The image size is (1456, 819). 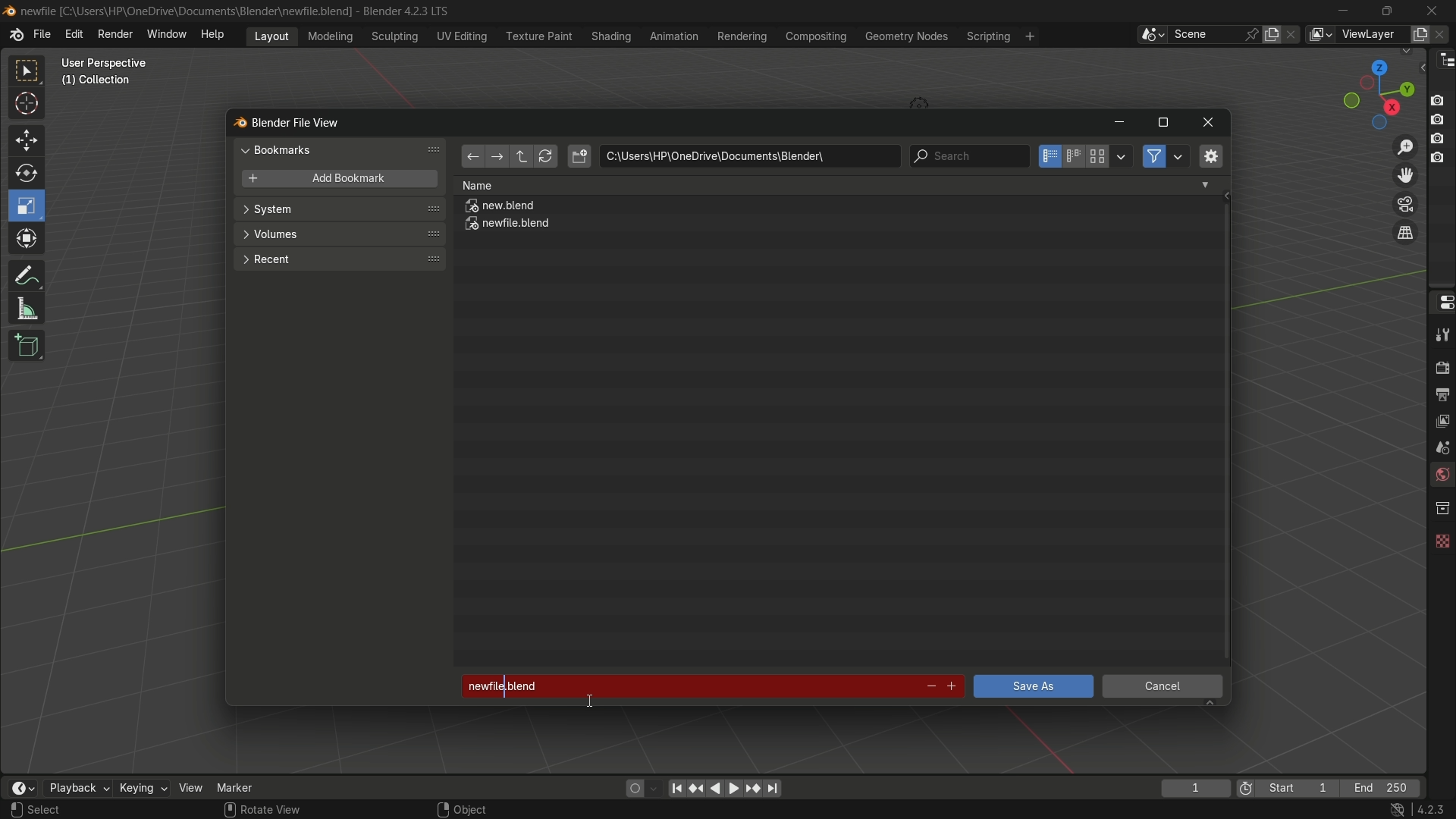 I want to click on view layer name, so click(x=1371, y=35).